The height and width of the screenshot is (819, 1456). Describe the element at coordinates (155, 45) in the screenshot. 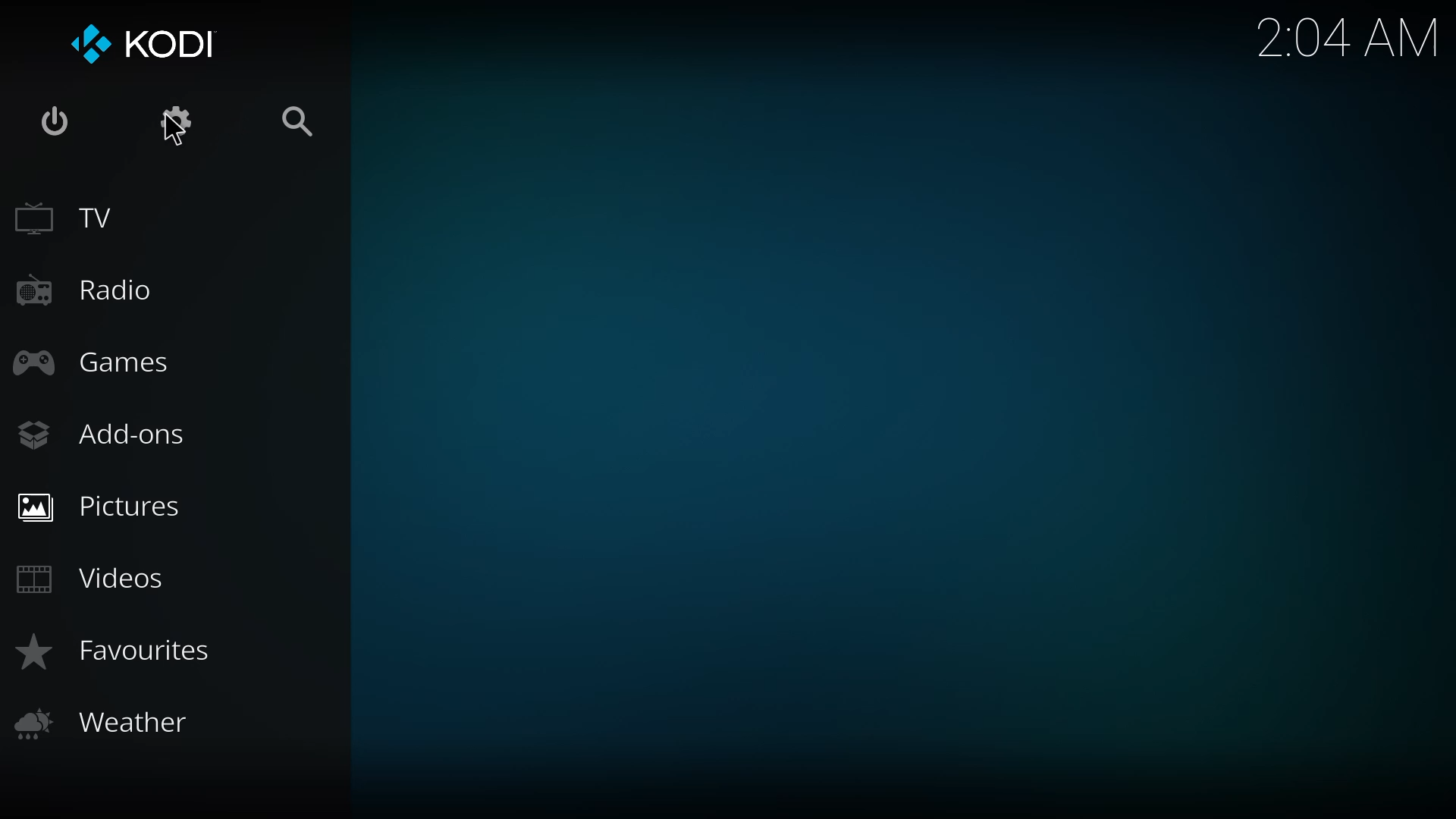

I see `kodi` at that location.